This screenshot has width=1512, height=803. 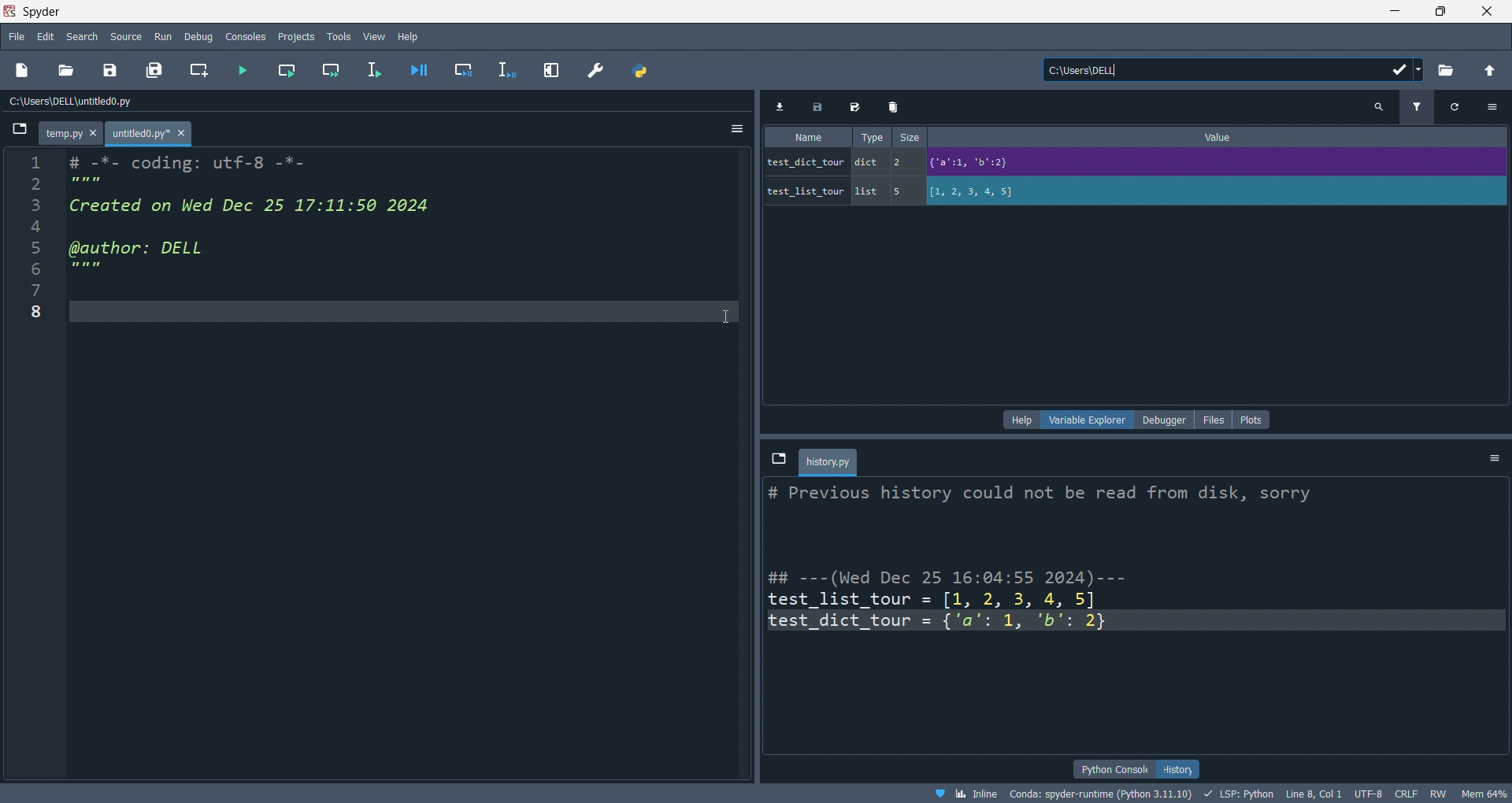 What do you see at coordinates (1112, 768) in the screenshot?
I see `ipython console` at bounding box center [1112, 768].